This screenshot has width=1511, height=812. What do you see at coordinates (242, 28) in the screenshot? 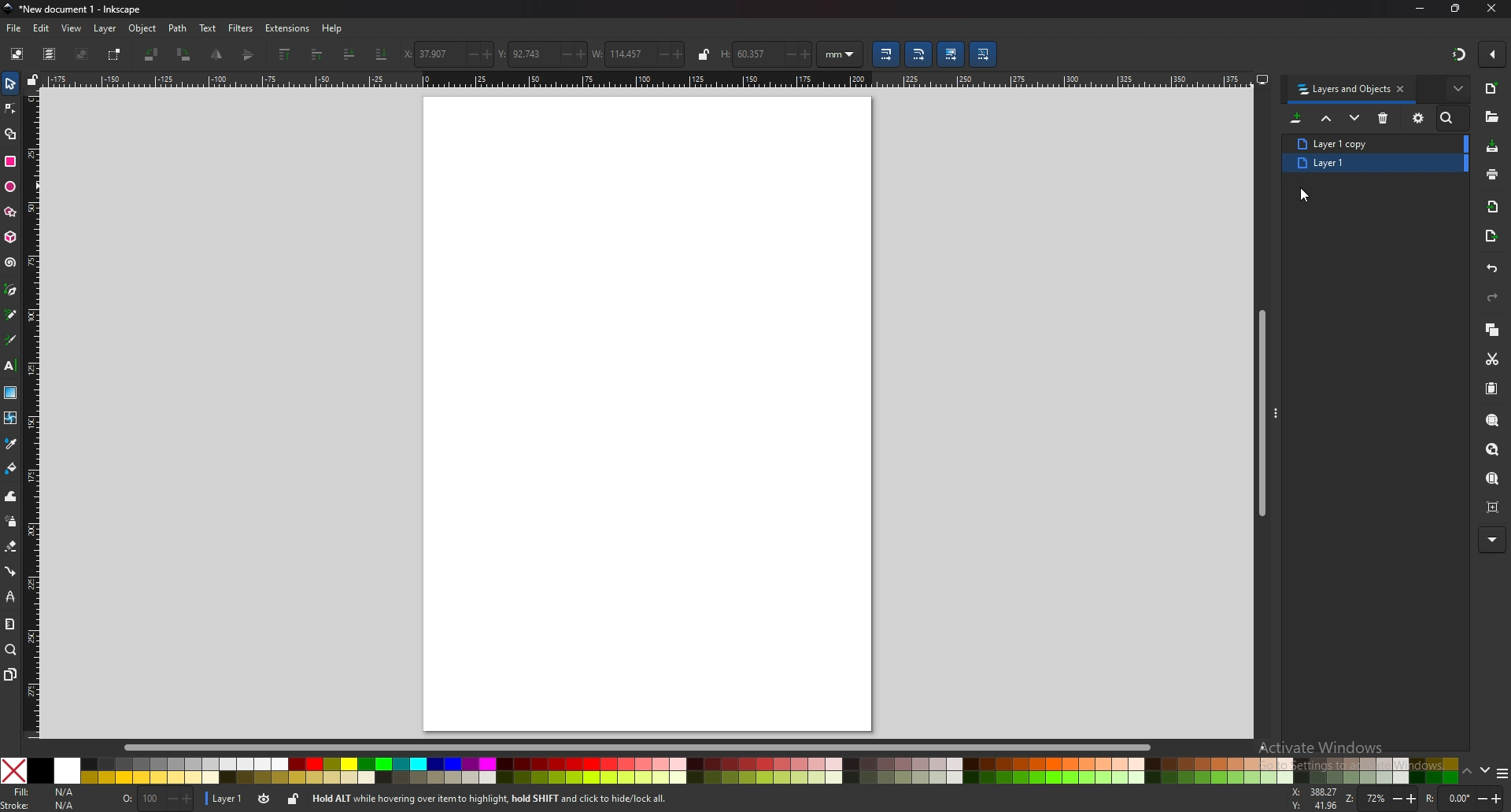
I see `filters` at bounding box center [242, 28].